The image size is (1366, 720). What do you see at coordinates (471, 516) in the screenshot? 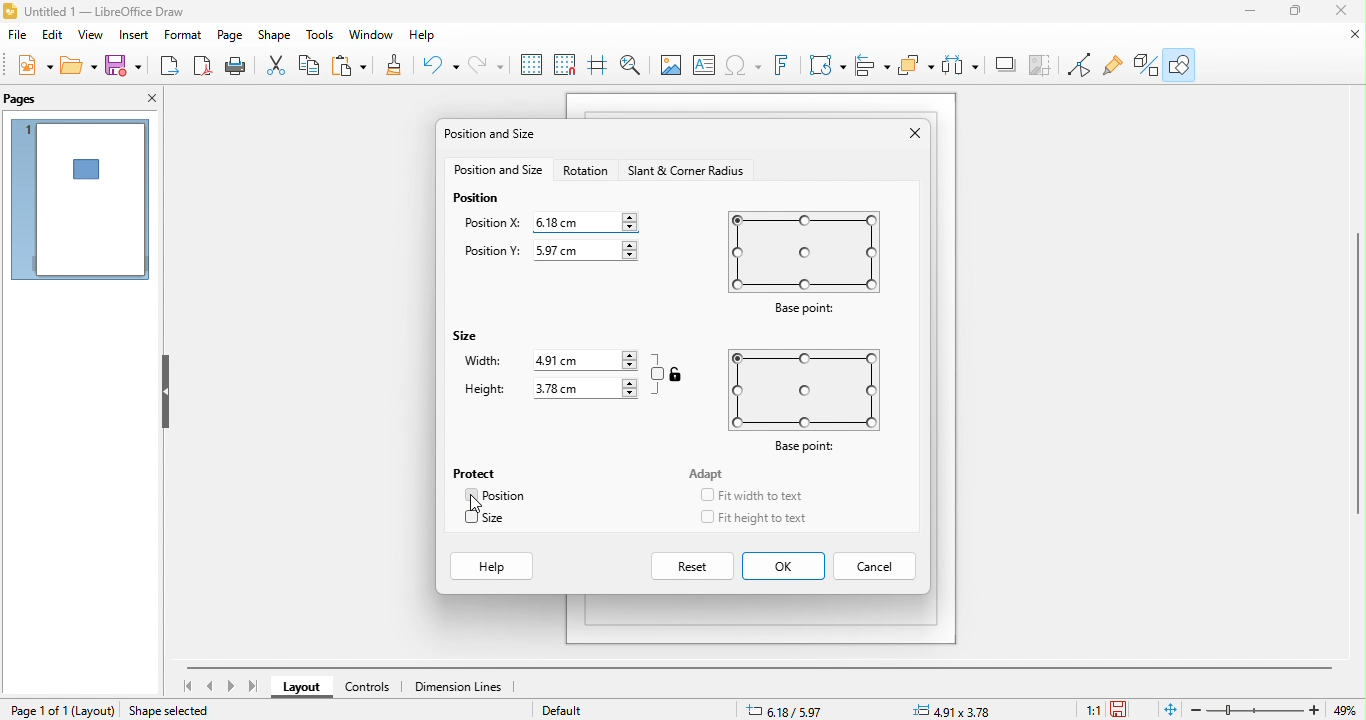
I see `Checkbox ` at bounding box center [471, 516].